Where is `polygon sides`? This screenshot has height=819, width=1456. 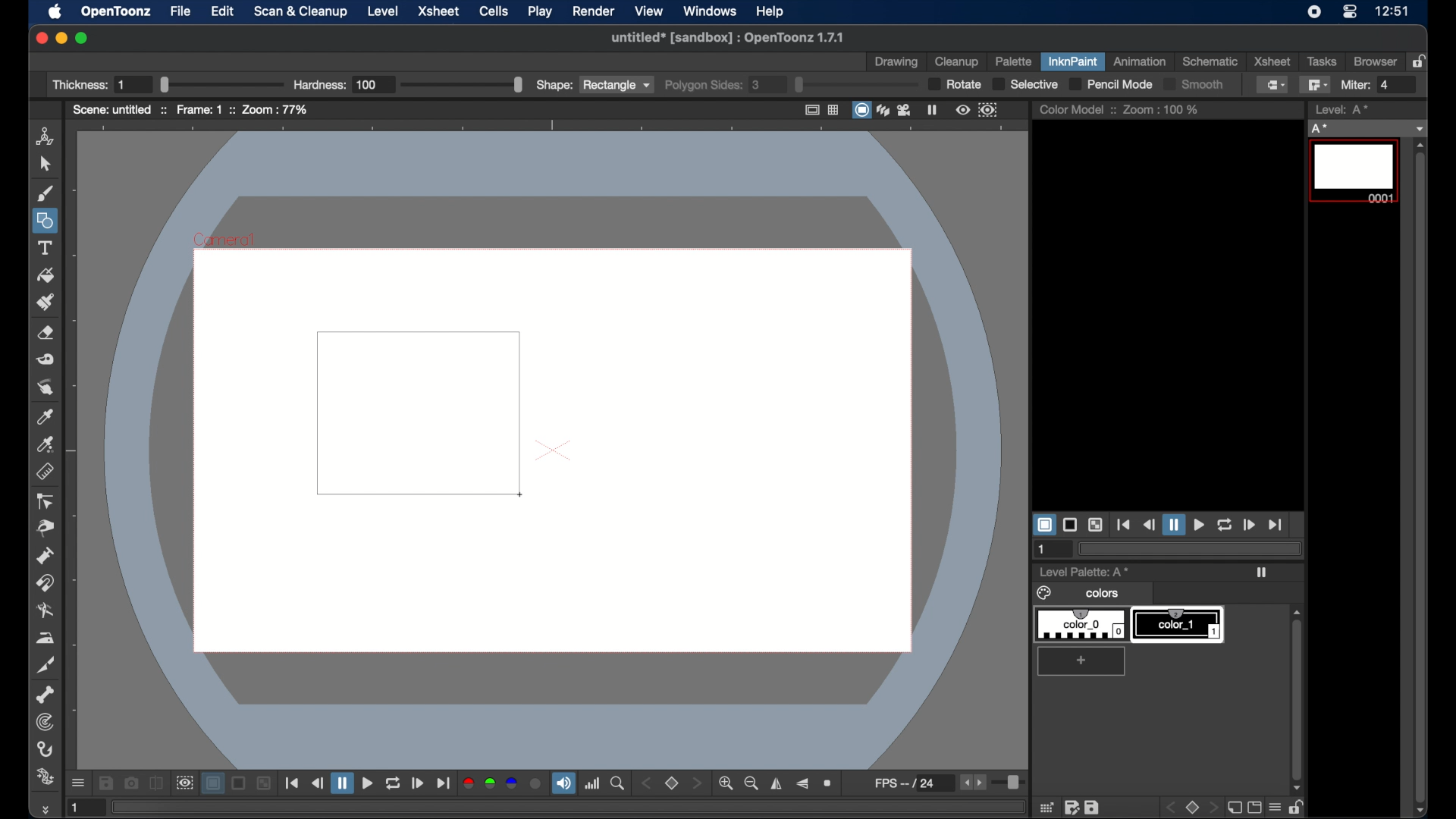 polygon sides is located at coordinates (789, 85).